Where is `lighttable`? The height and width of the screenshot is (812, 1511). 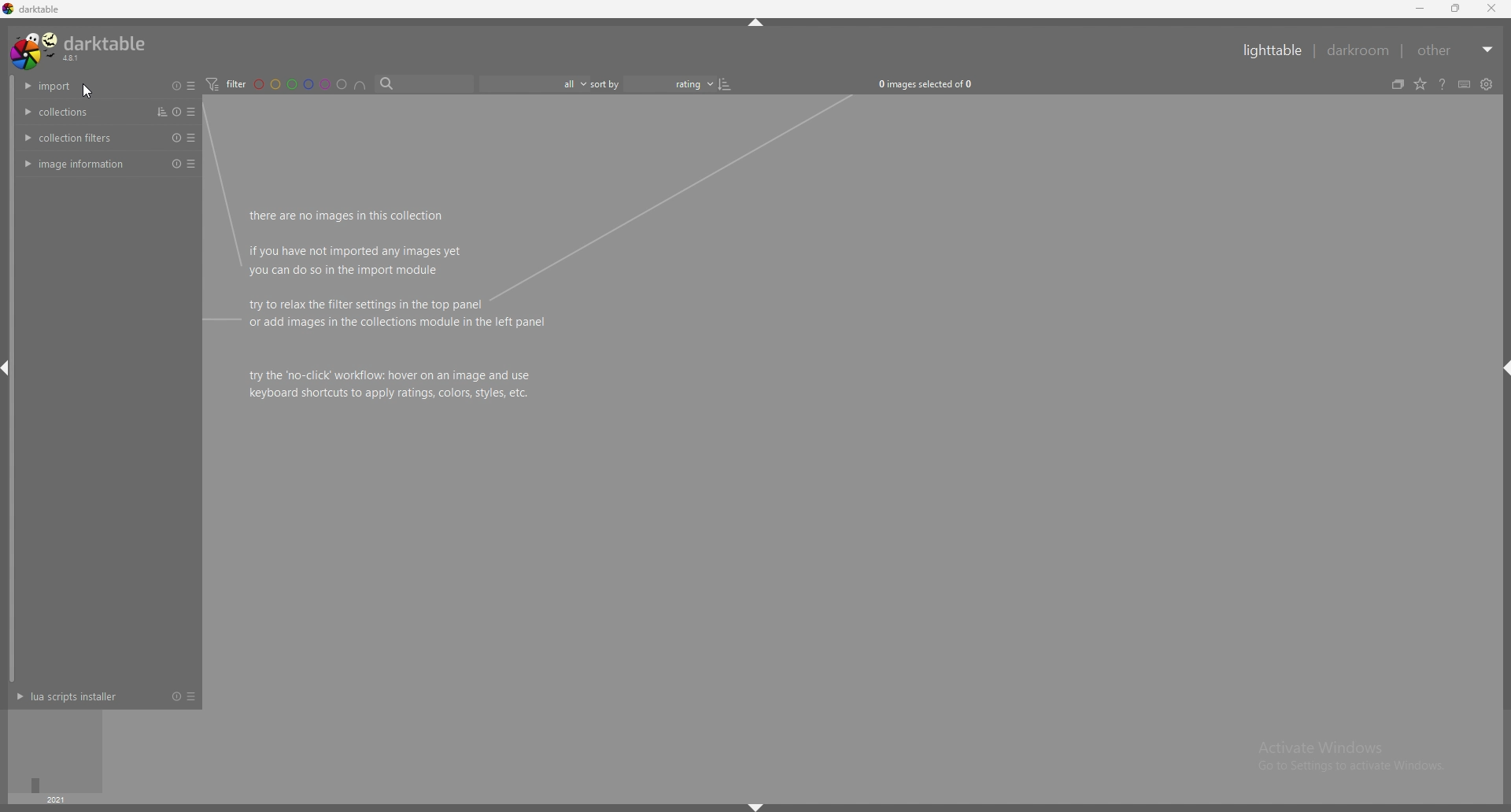
lighttable is located at coordinates (1275, 50).